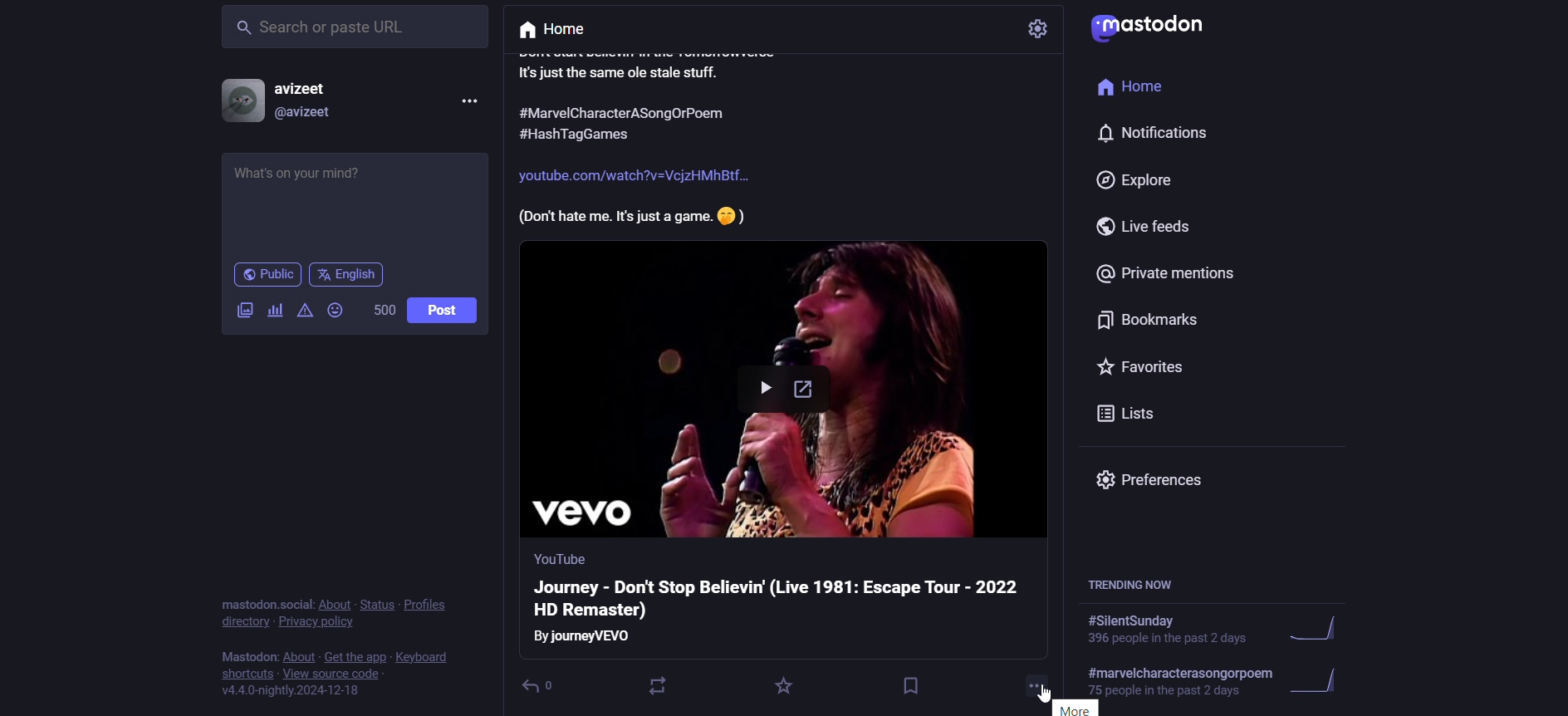 The width and height of the screenshot is (1568, 716). I want to click on public post, so click(266, 276).